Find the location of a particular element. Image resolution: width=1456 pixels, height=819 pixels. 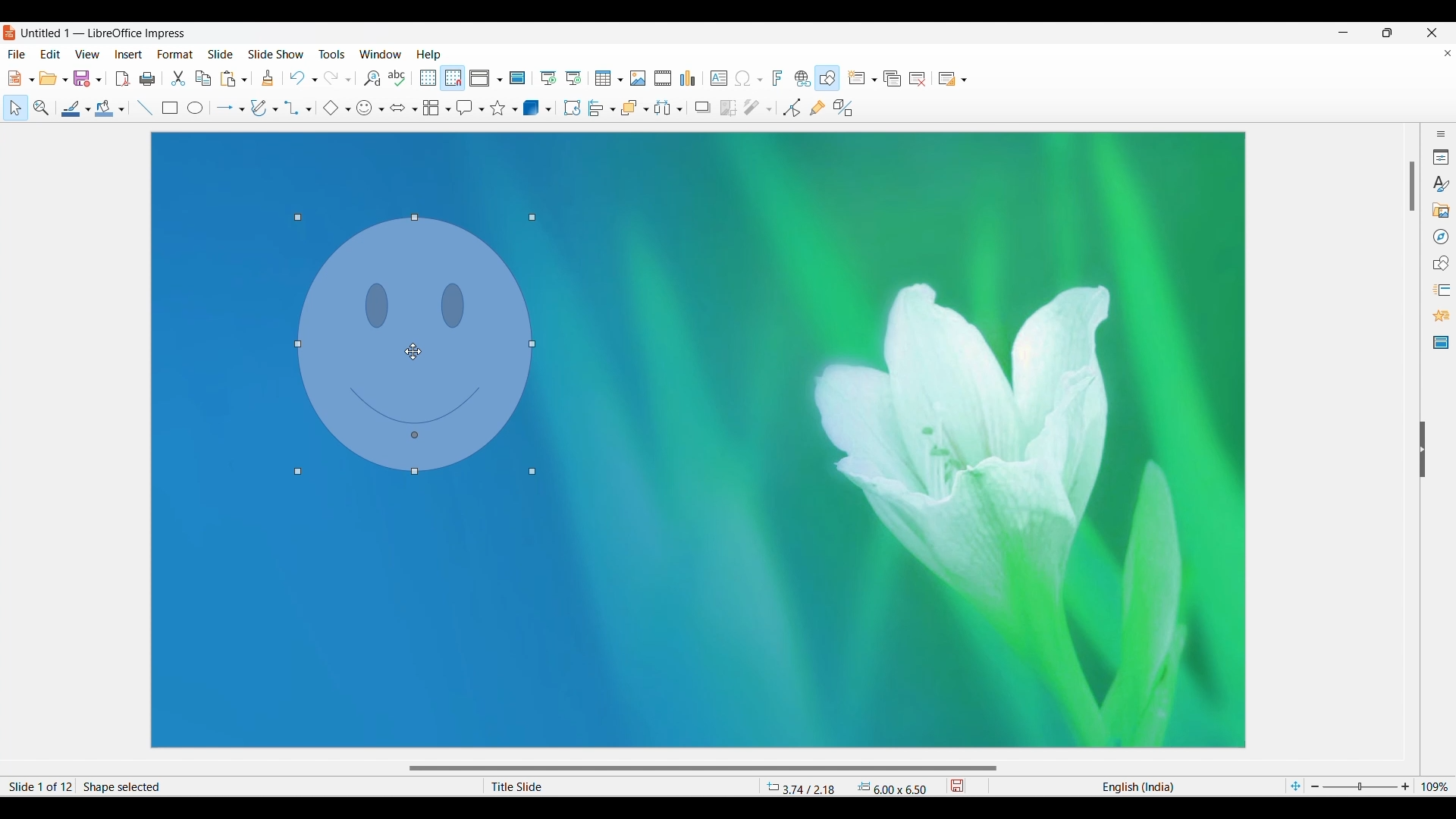

Zoom out is located at coordinates (1315, 786).